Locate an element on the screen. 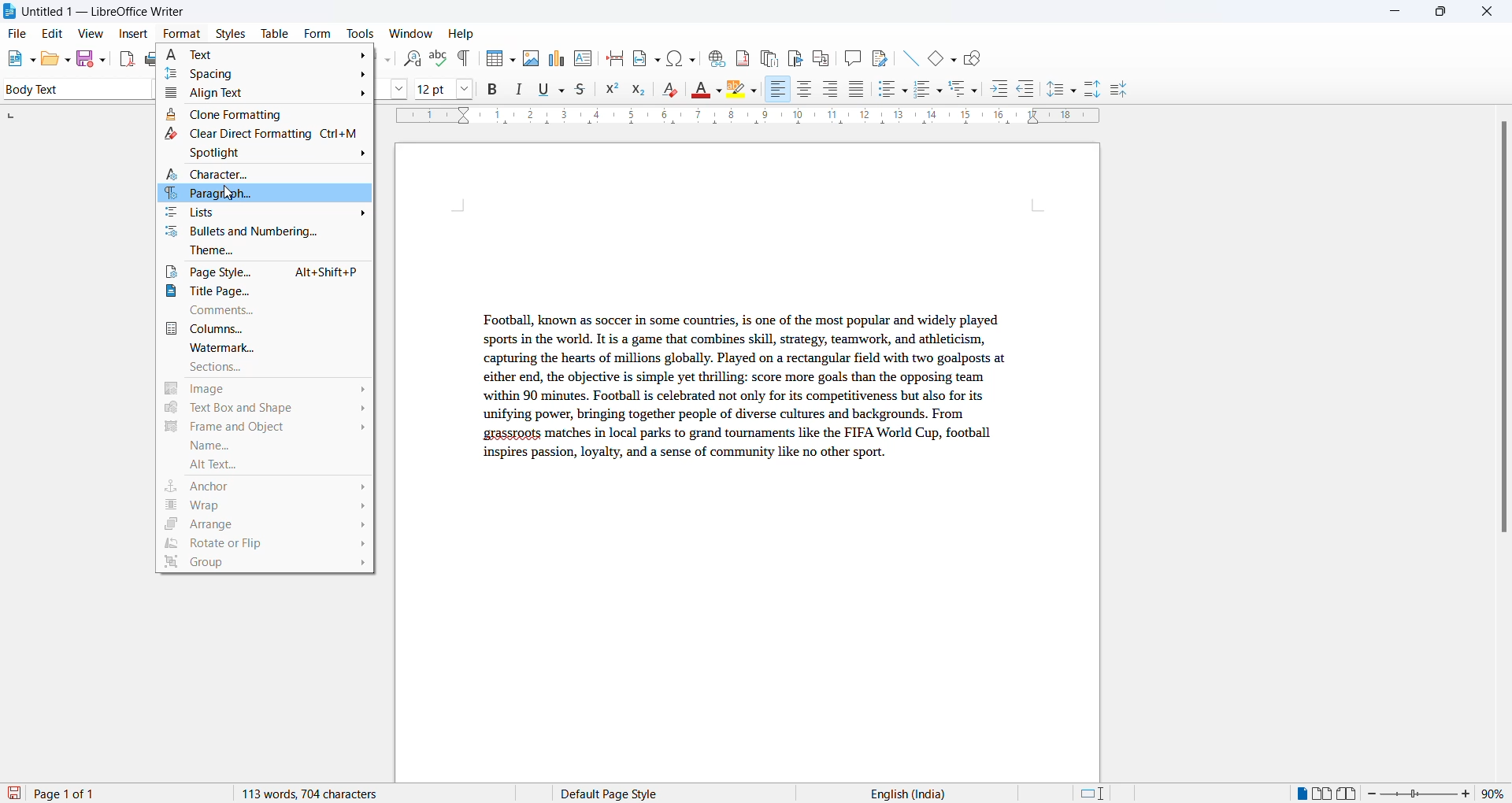 The width and height of the screenshot is (1512, 803). insert comments is located at coordinates (849, 57).